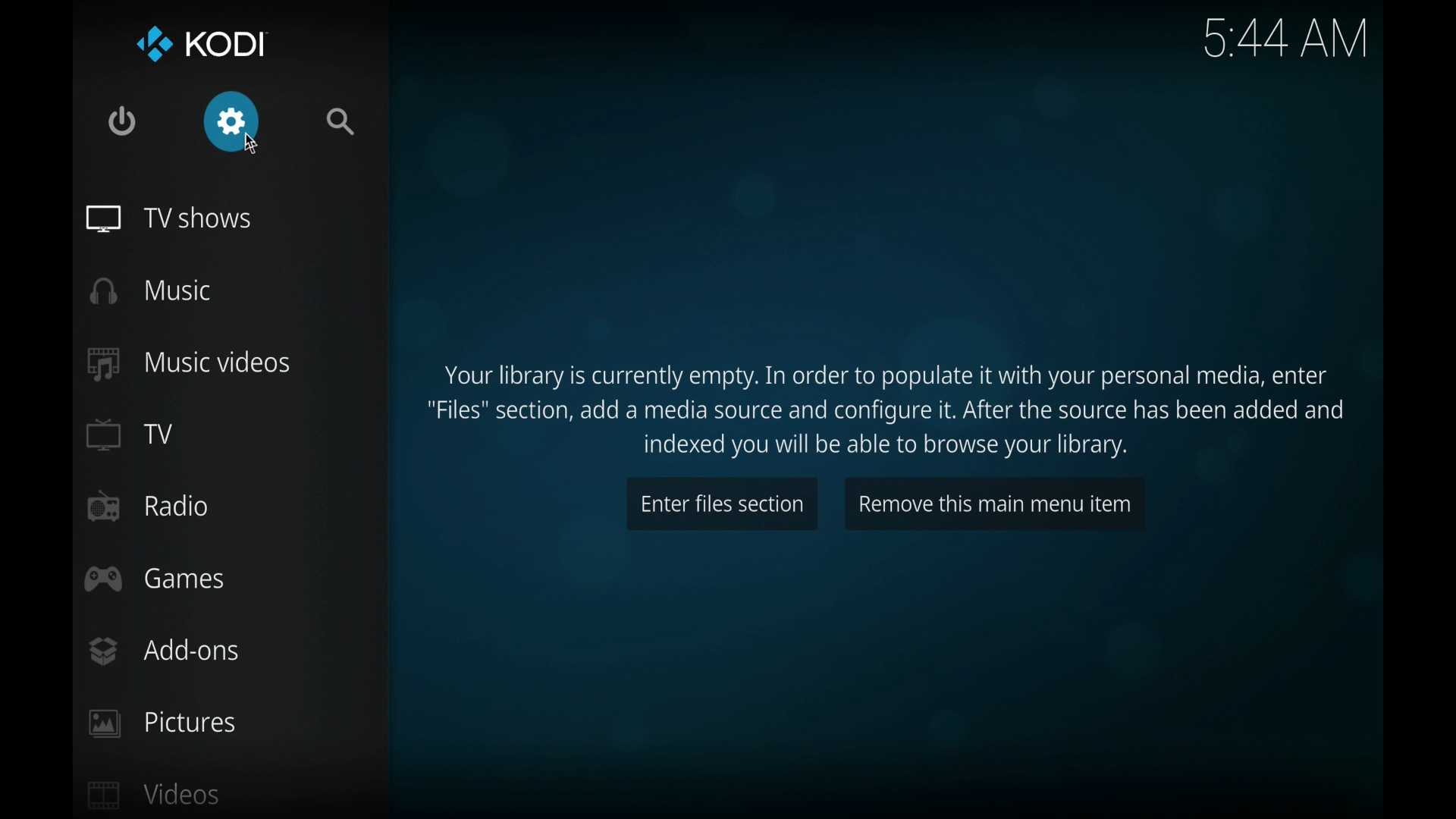  What do you see at coordinates (188, 363) in the screenshot?
I see `music videos` at bounding box center [188, 363].